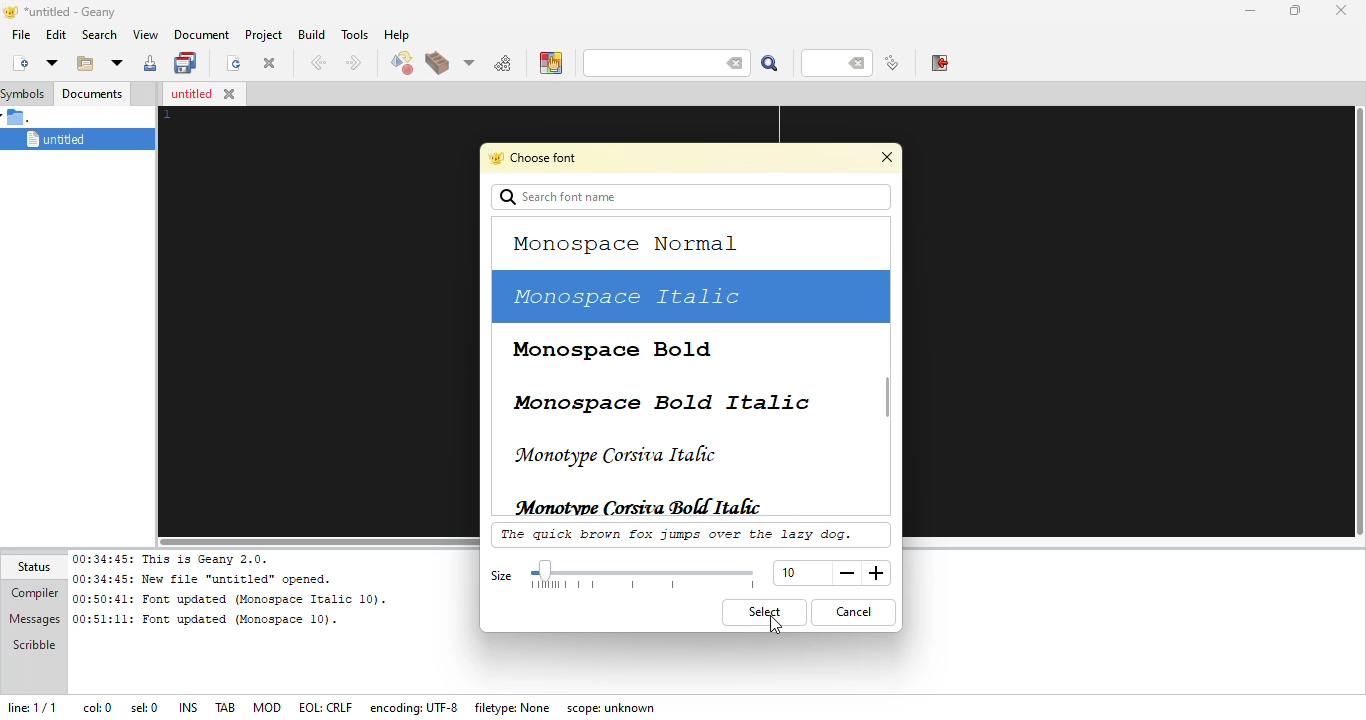 This screenshot has width=1366, height=720. What do you see at coordinates (226, 707) in the screenshot?
I see `tab` at bounding box center [226, 707].